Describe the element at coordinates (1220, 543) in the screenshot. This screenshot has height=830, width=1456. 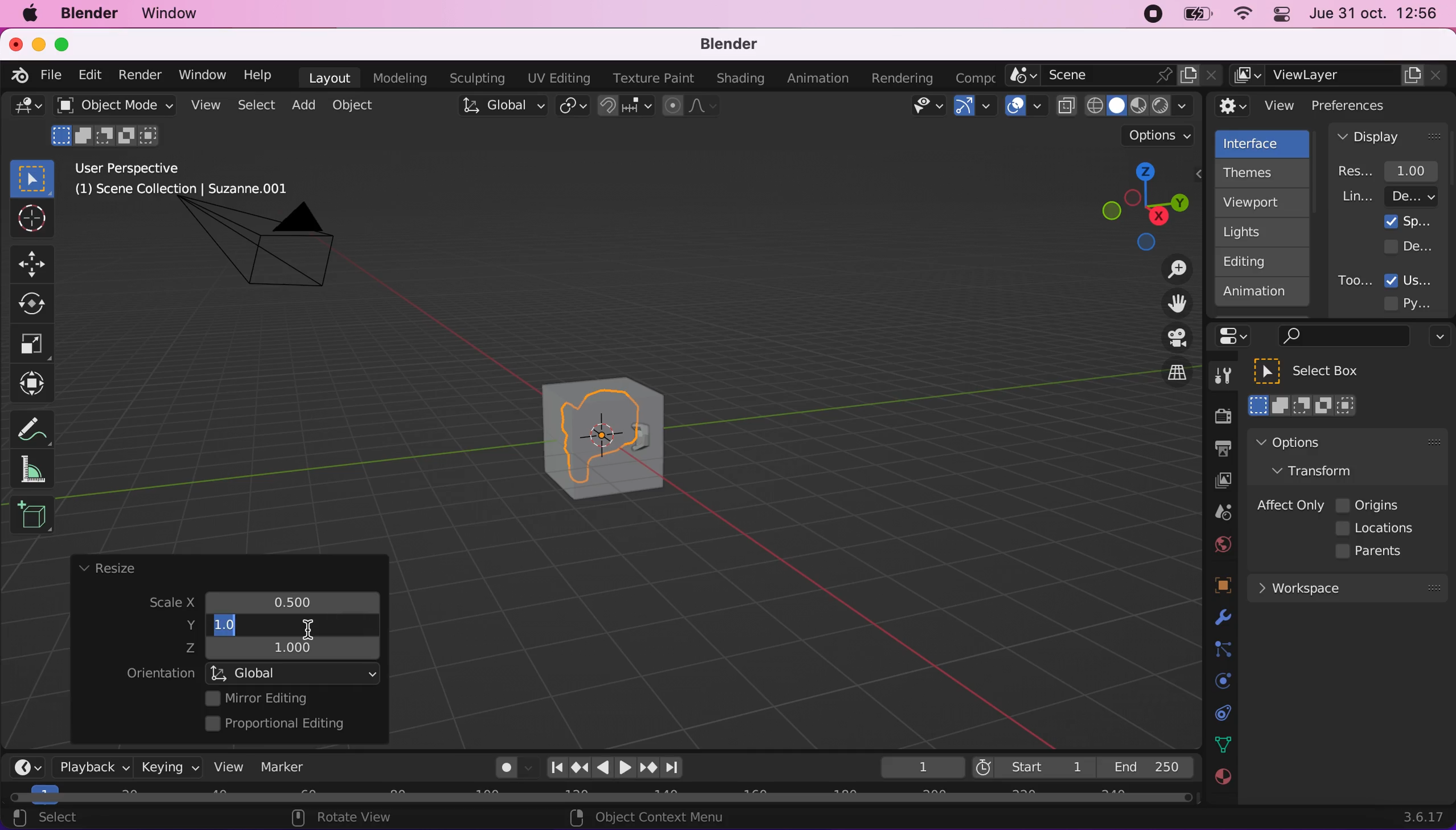
I see `world` at that location.